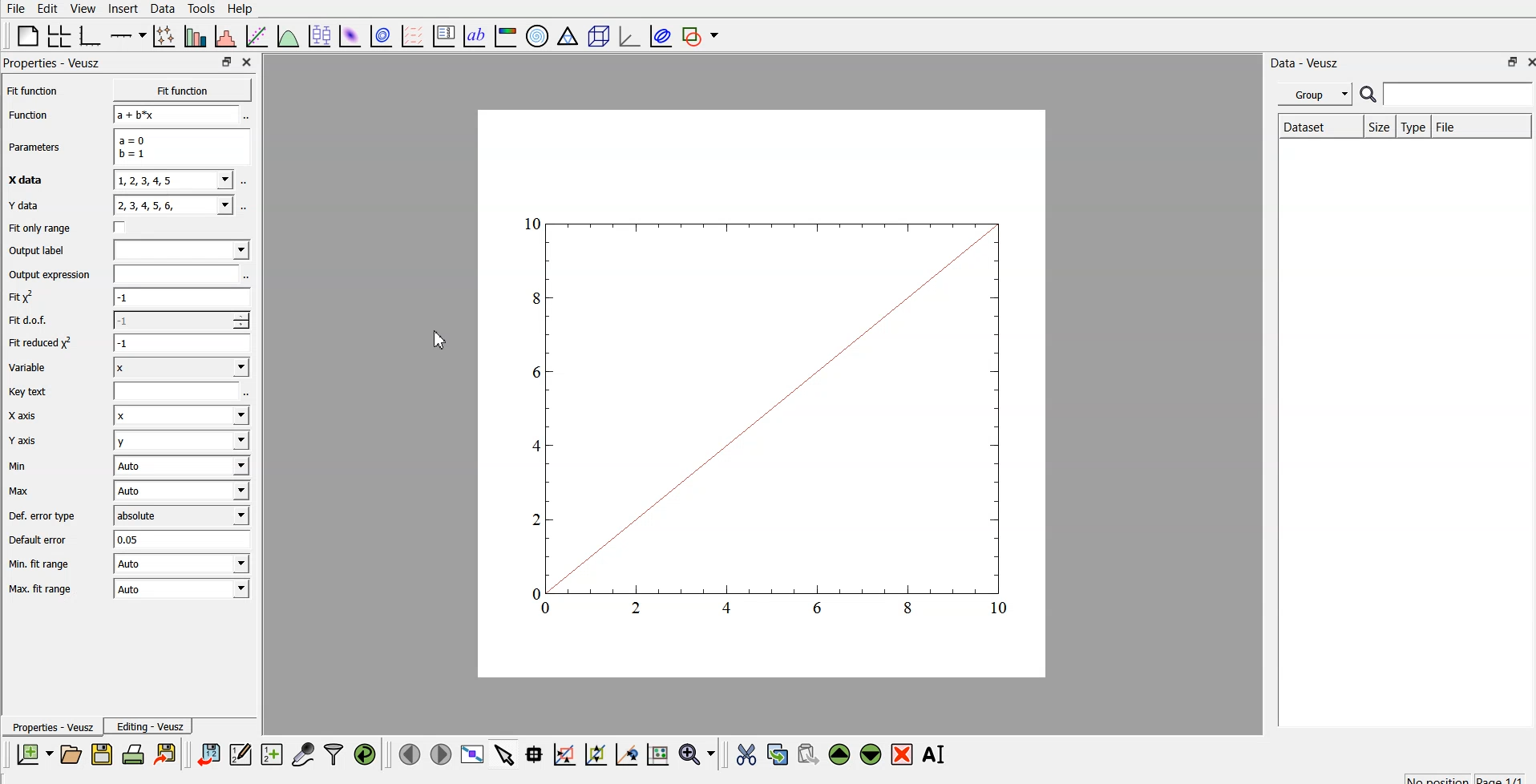 Image resolution: width=1536 pixels, height=784 pixels. I want to click on blank page, so click(27, 34).